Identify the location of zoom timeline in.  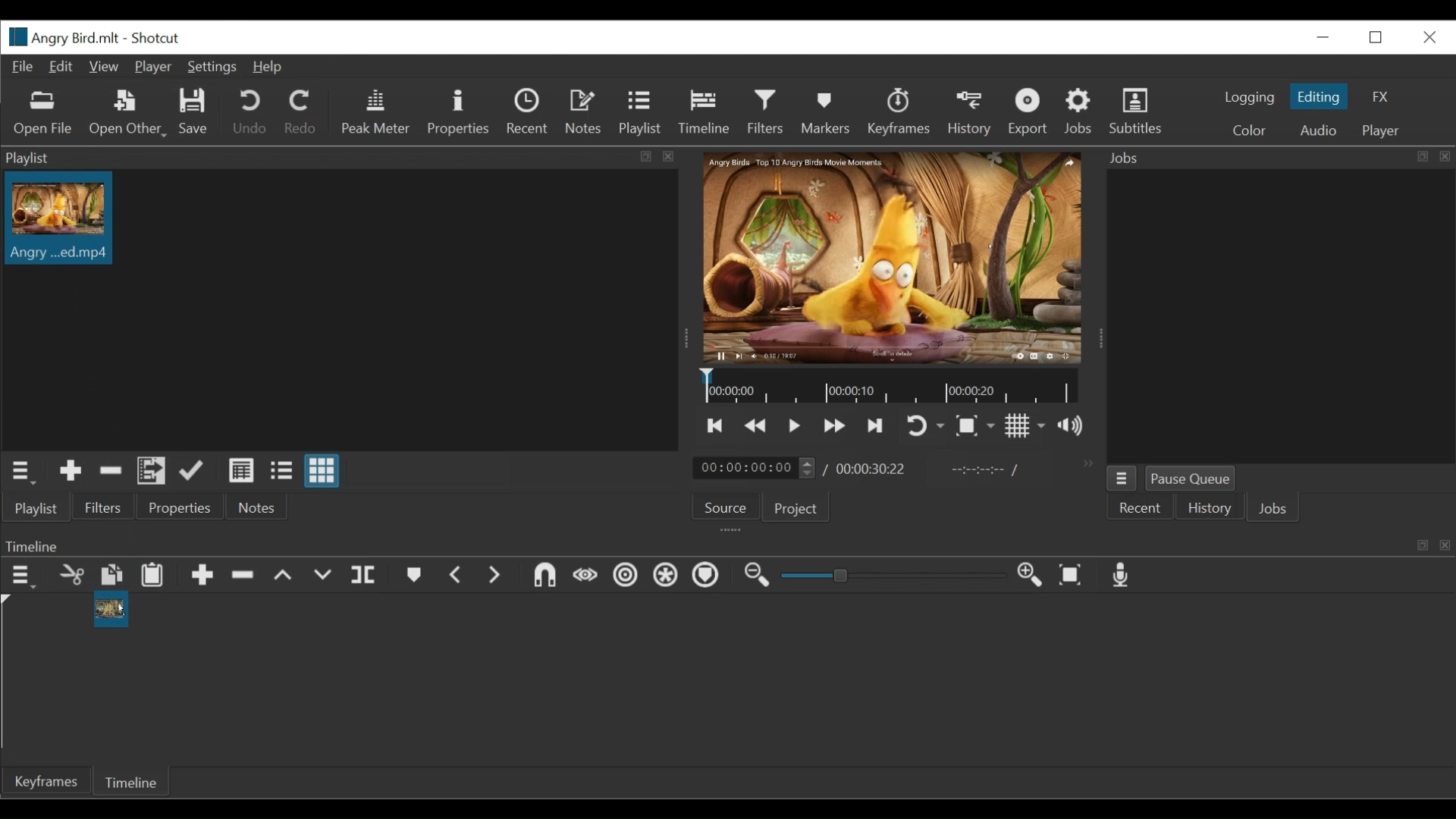
(1030, 575).